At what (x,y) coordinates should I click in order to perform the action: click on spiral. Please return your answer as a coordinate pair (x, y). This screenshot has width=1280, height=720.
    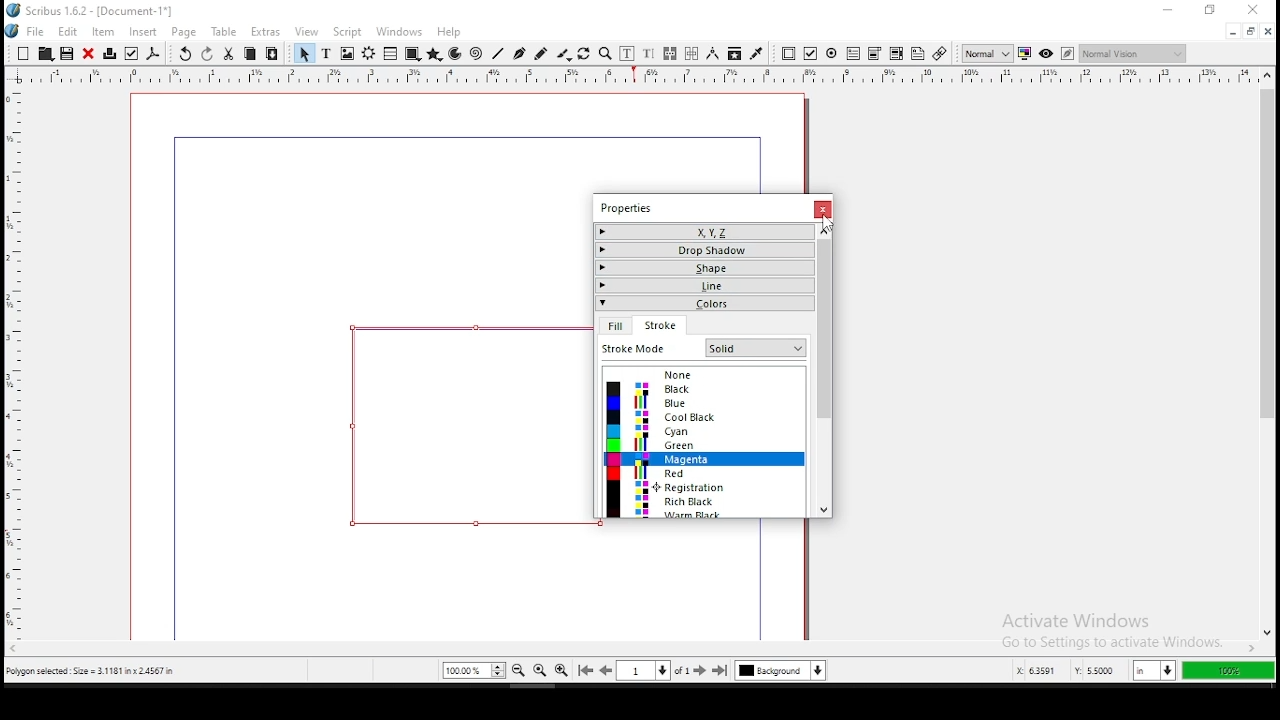
    Looking at the image, I should click on (476, 54).